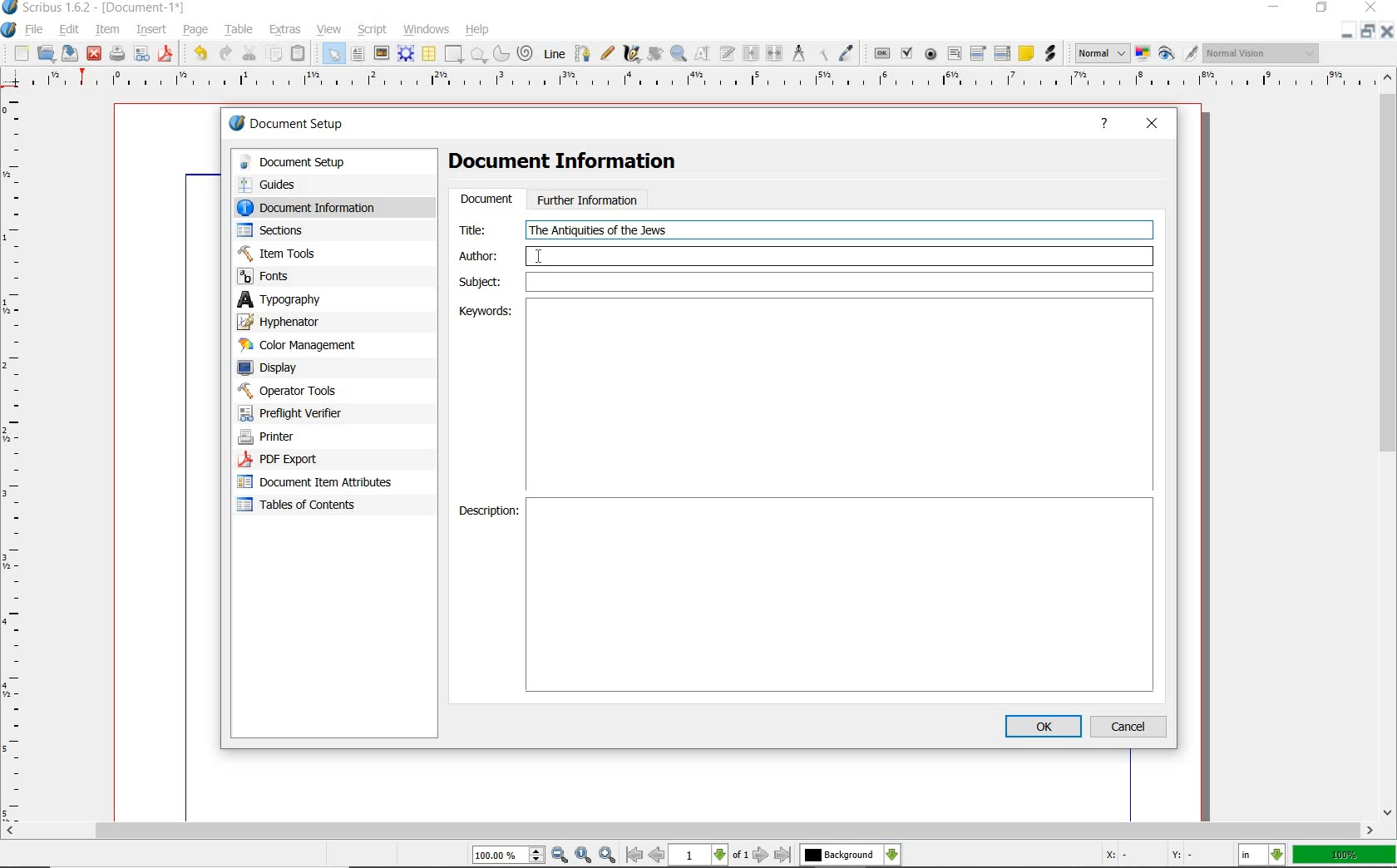  What do you see at coordinates (486, 200) in the screenshot?
I see `document` at bounding box center [486, 200].